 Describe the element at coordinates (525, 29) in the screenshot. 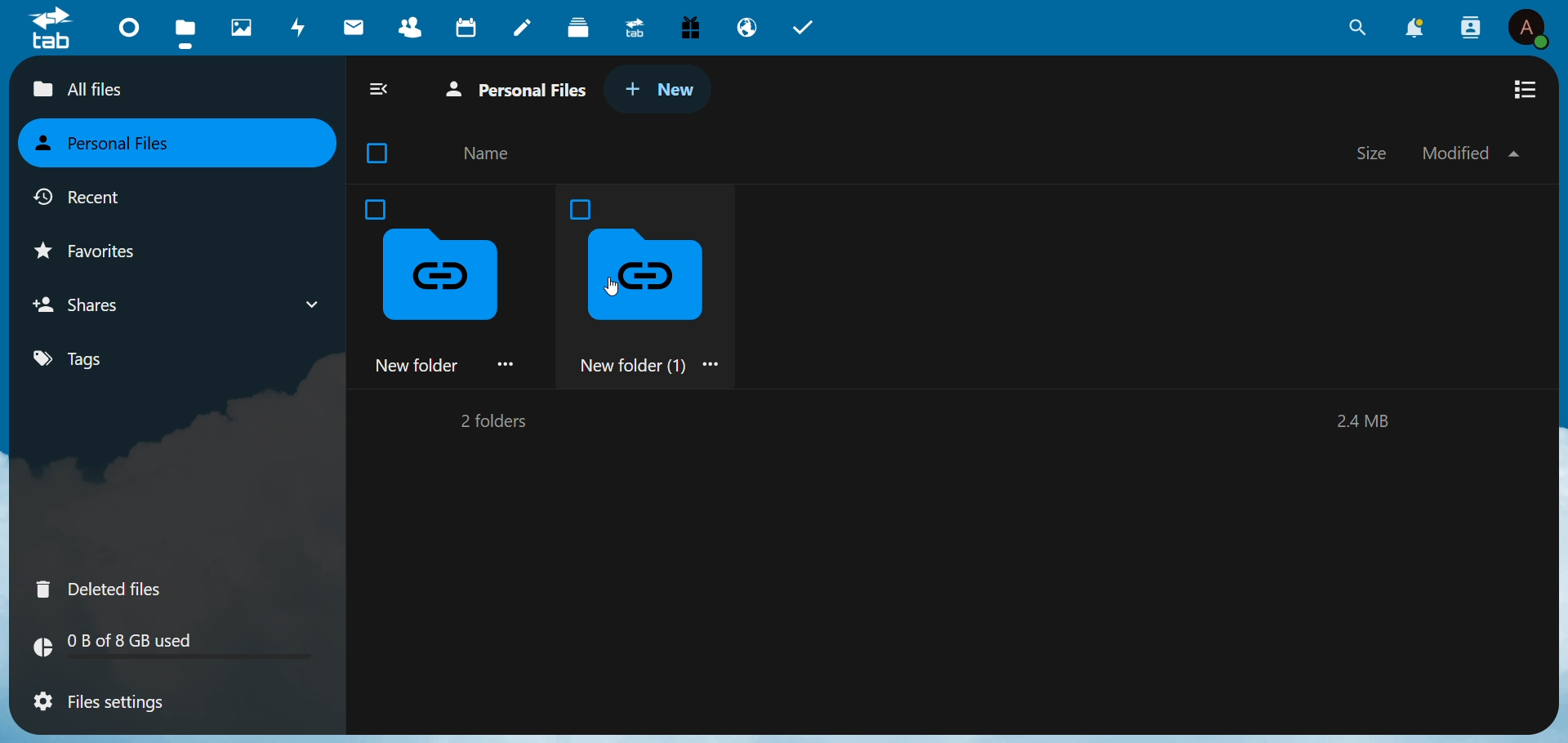

I see `edit` at that location.